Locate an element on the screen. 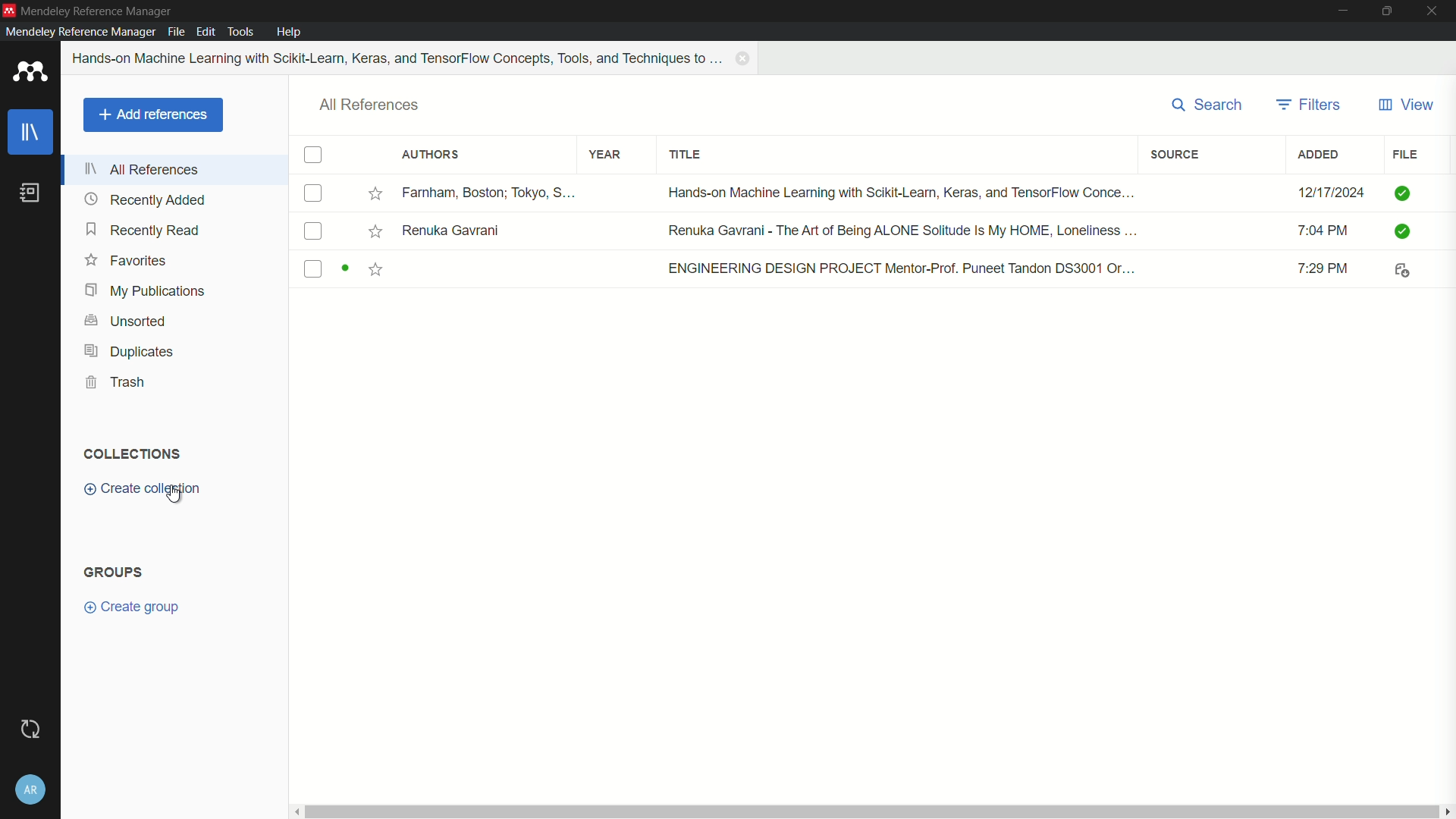 This screenshot has width=1456, height=819. unsorted is located at coordinates (128, 319).